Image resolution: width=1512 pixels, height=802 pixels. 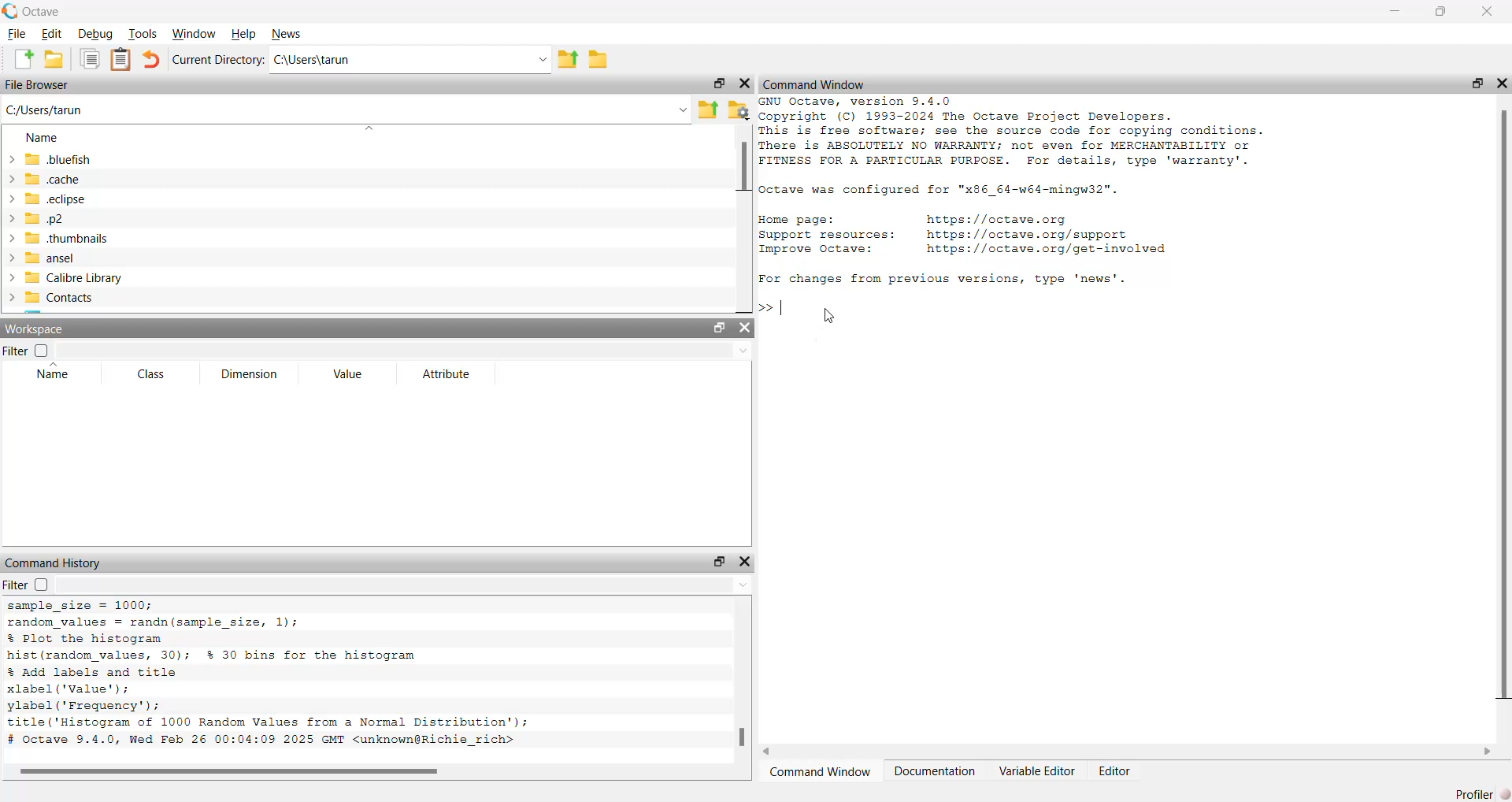 I want to click on Calibre Library, so click(x=63, y=277).